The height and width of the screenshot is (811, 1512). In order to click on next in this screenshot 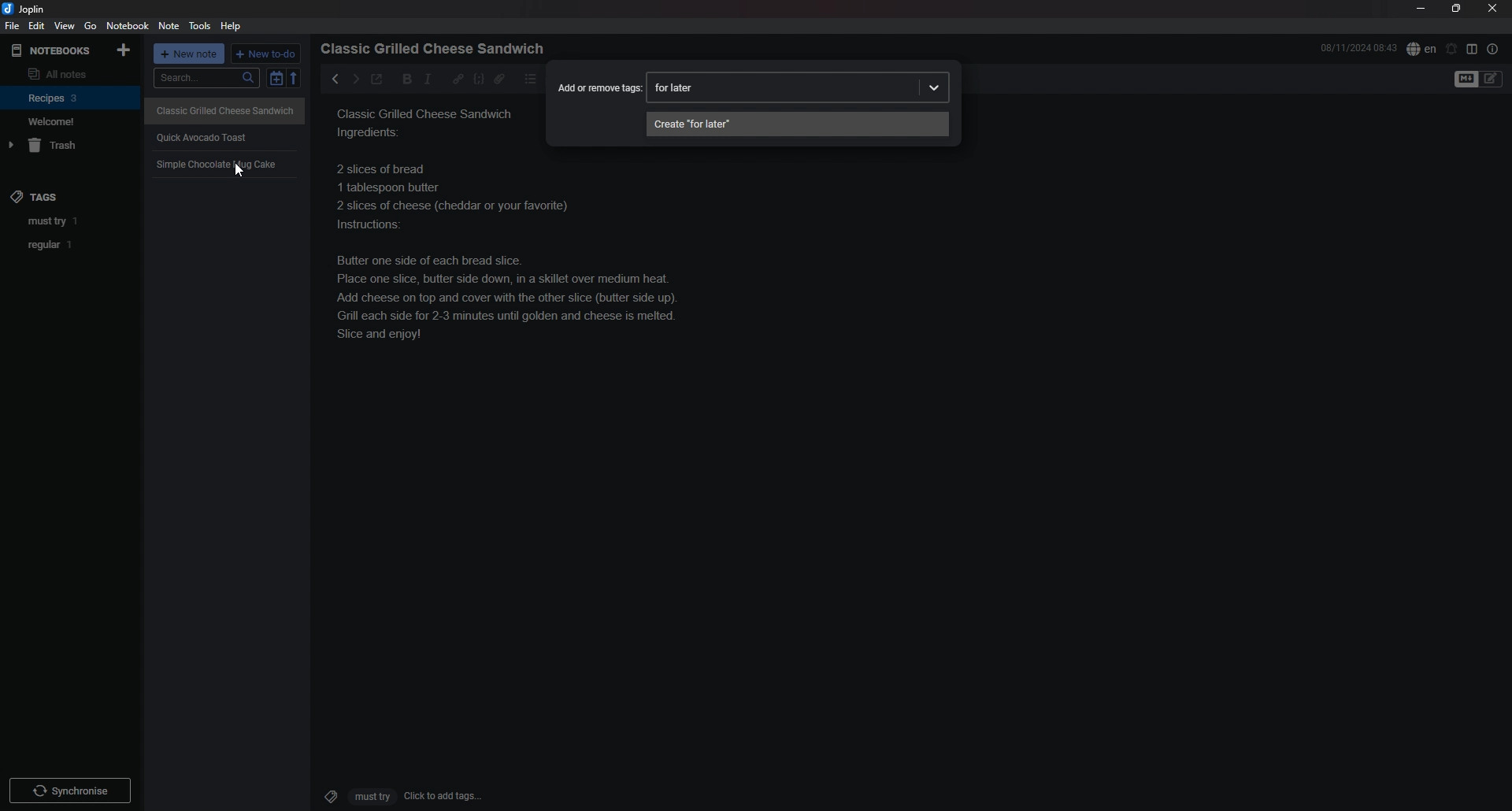, I will do `click(354, 79)`.